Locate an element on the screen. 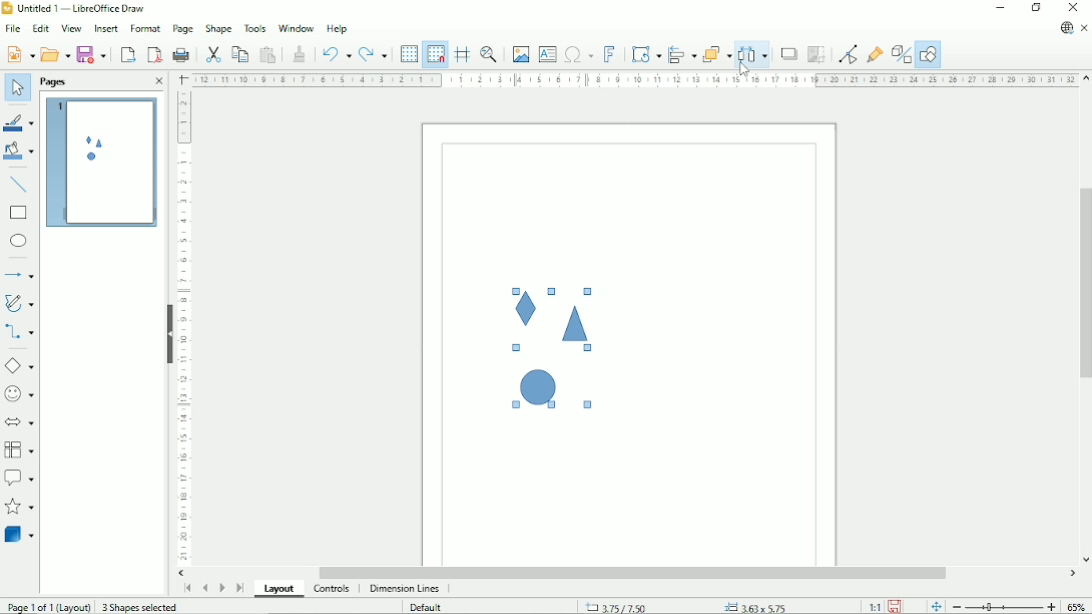  Basic shapes  is located at coordinates (19, 365).